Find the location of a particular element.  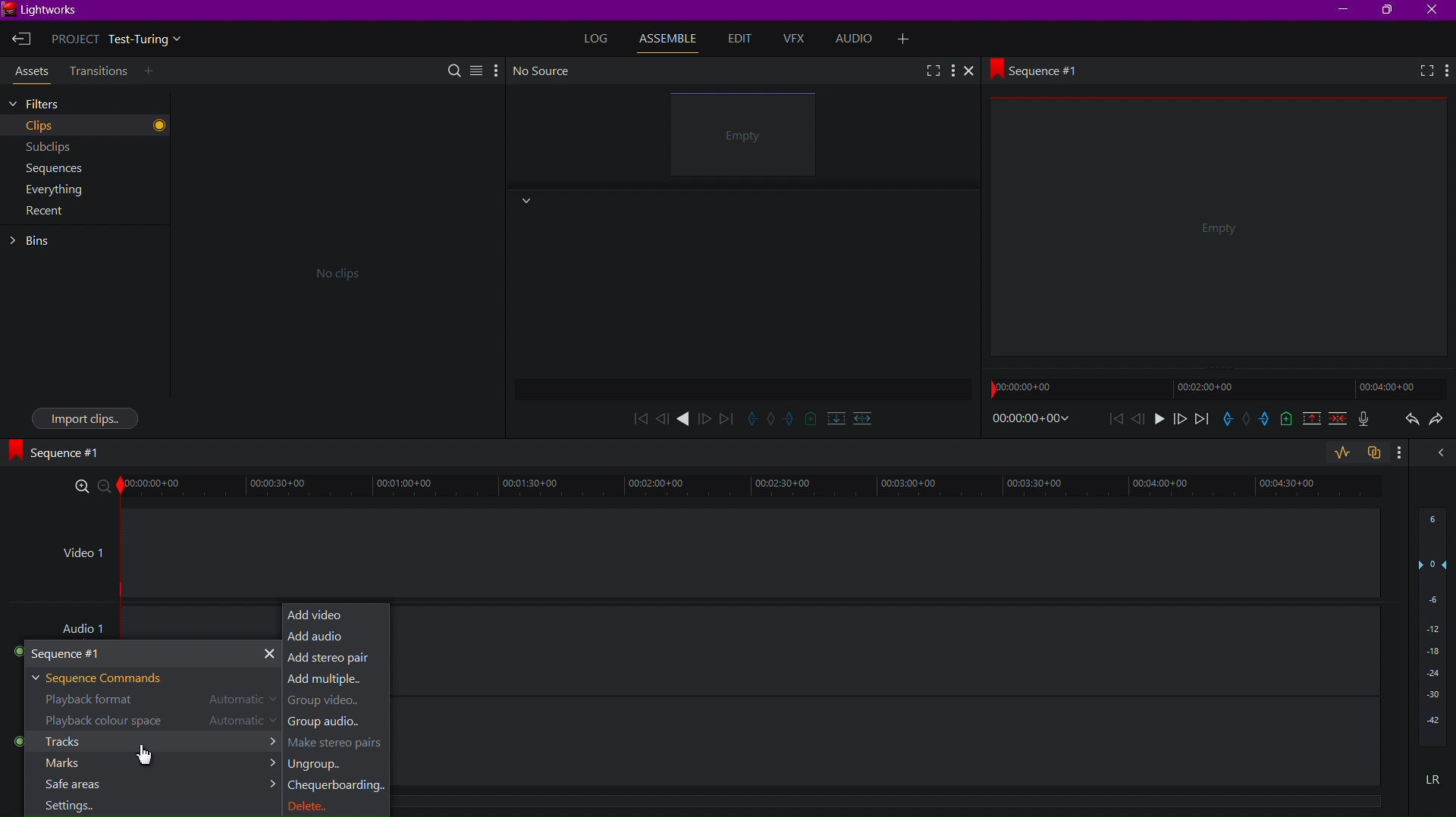

beginning is located at coordinates (1116, 420).